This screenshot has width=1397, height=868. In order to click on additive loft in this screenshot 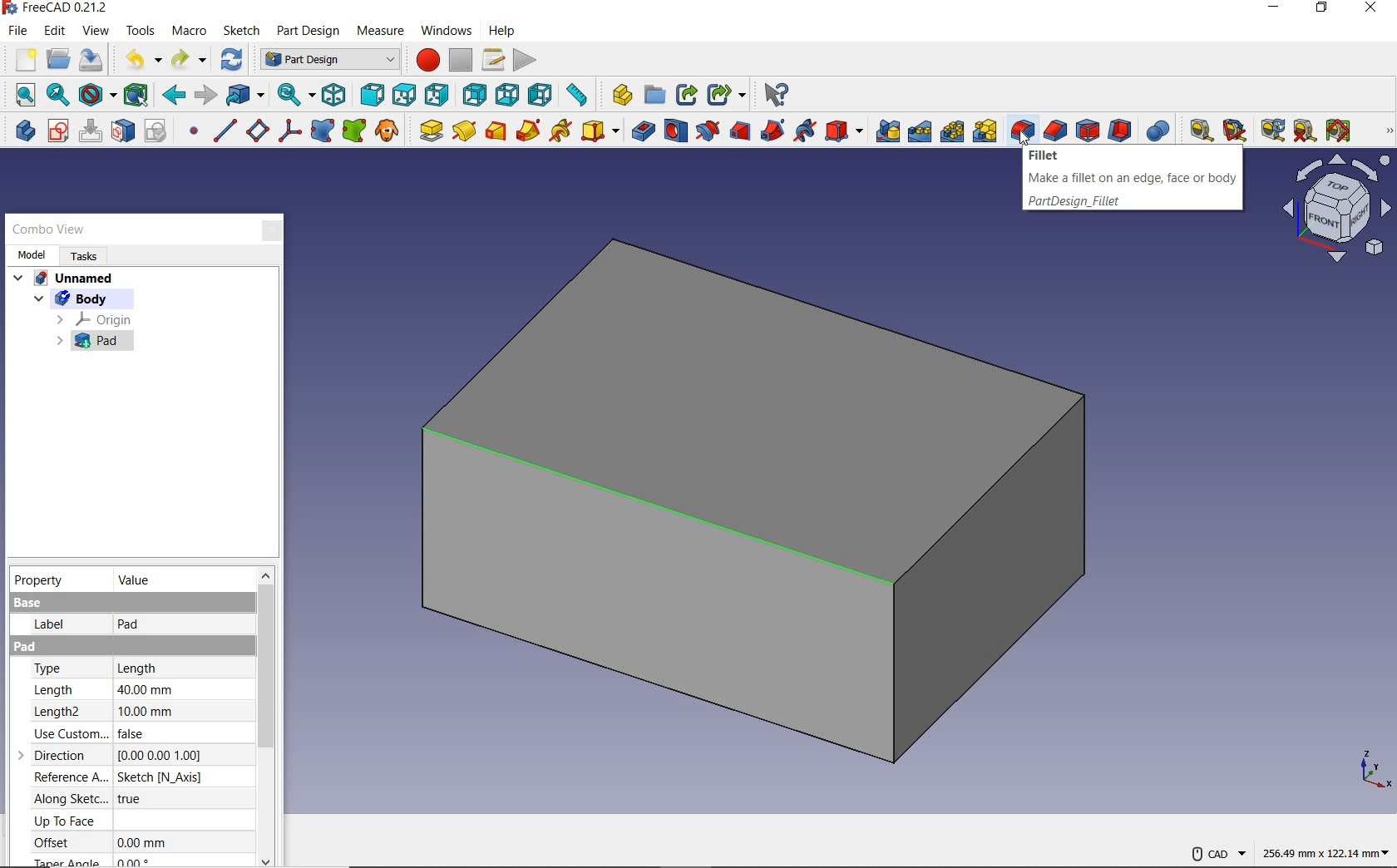, I will do `click(496, 132)`.